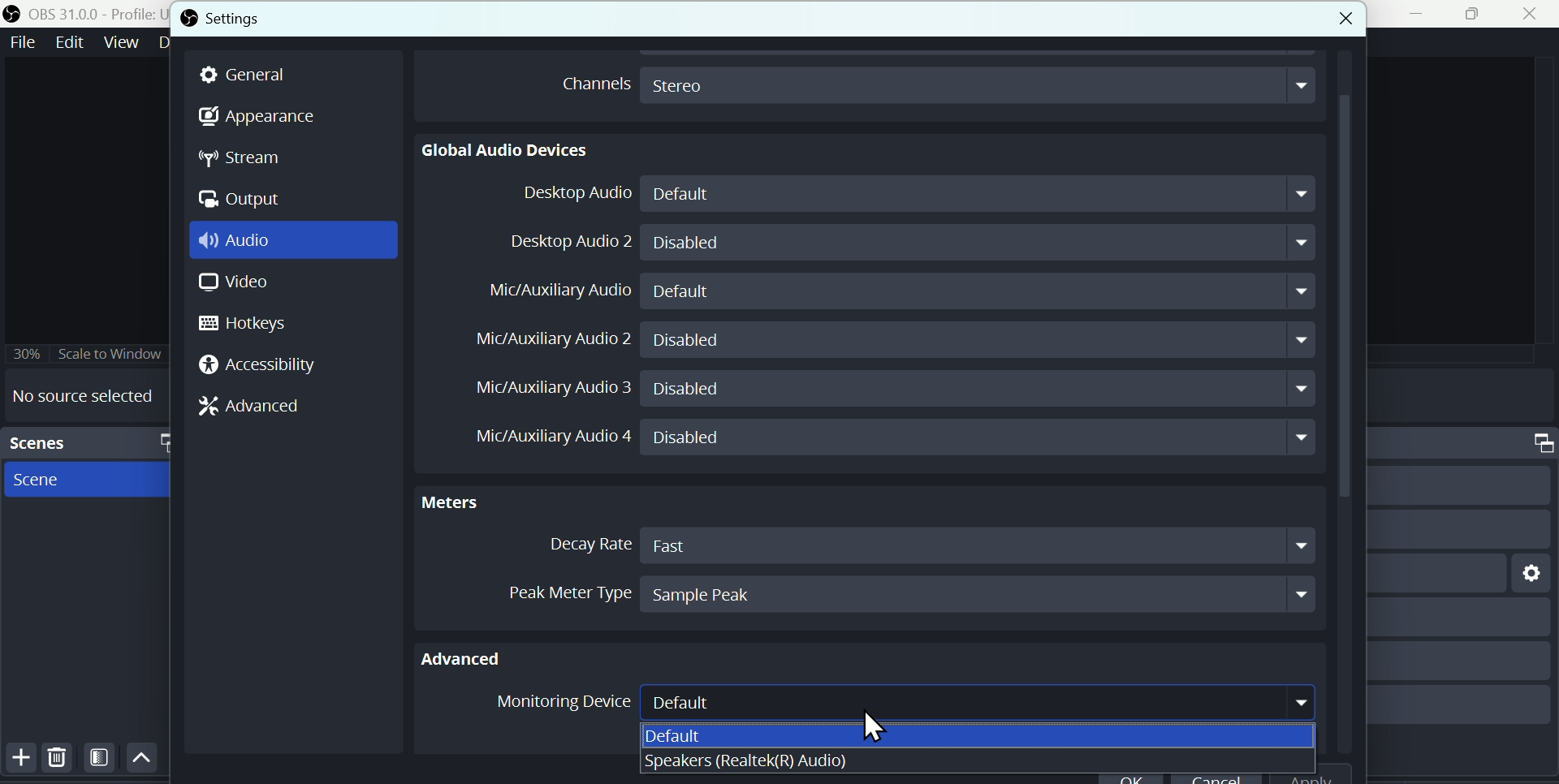 This screenshot has width=1559, height=784. I want to click on Default, so click(977, 700).